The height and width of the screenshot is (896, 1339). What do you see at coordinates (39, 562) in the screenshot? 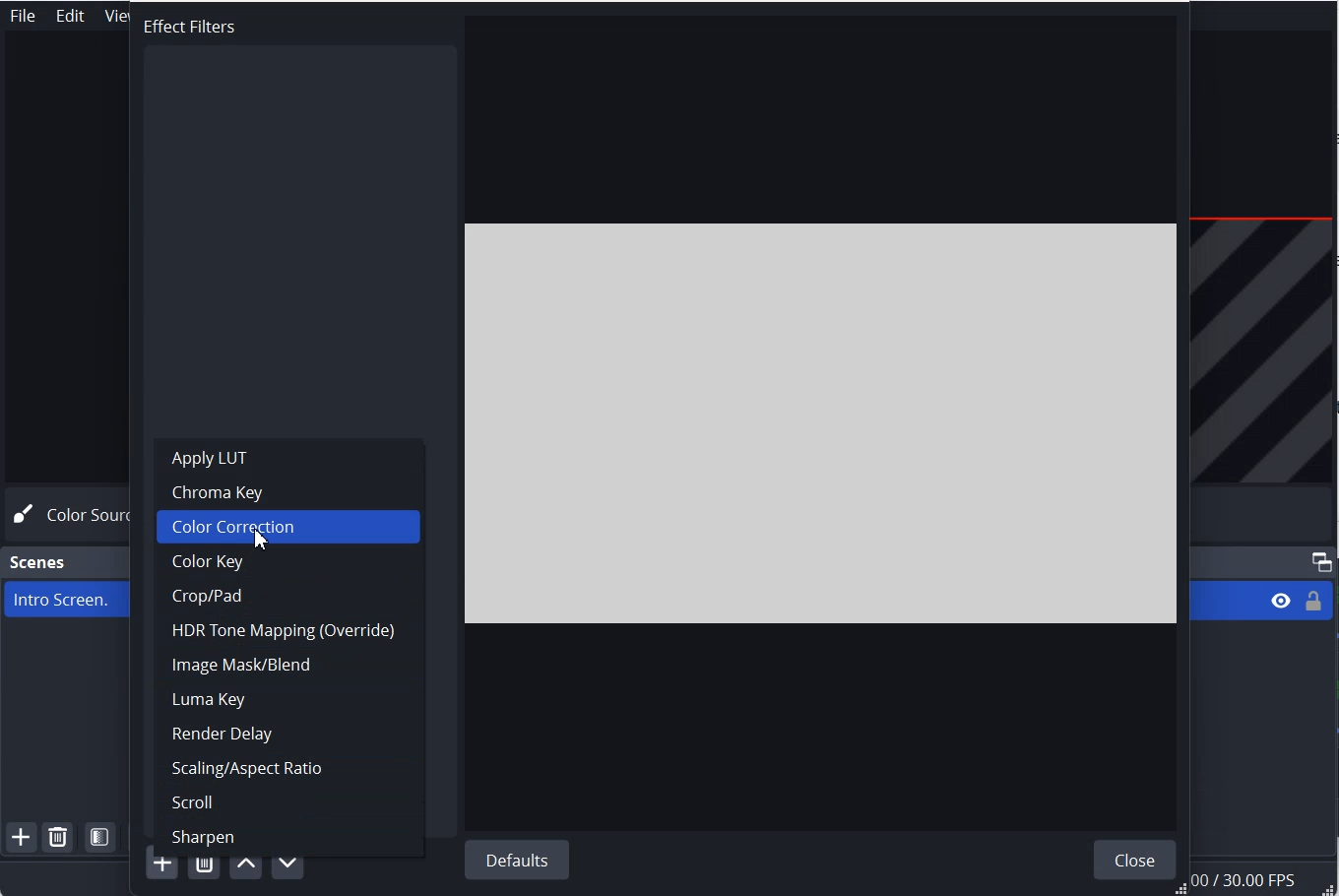
I see `Scene` at bounding box center [39, 562].